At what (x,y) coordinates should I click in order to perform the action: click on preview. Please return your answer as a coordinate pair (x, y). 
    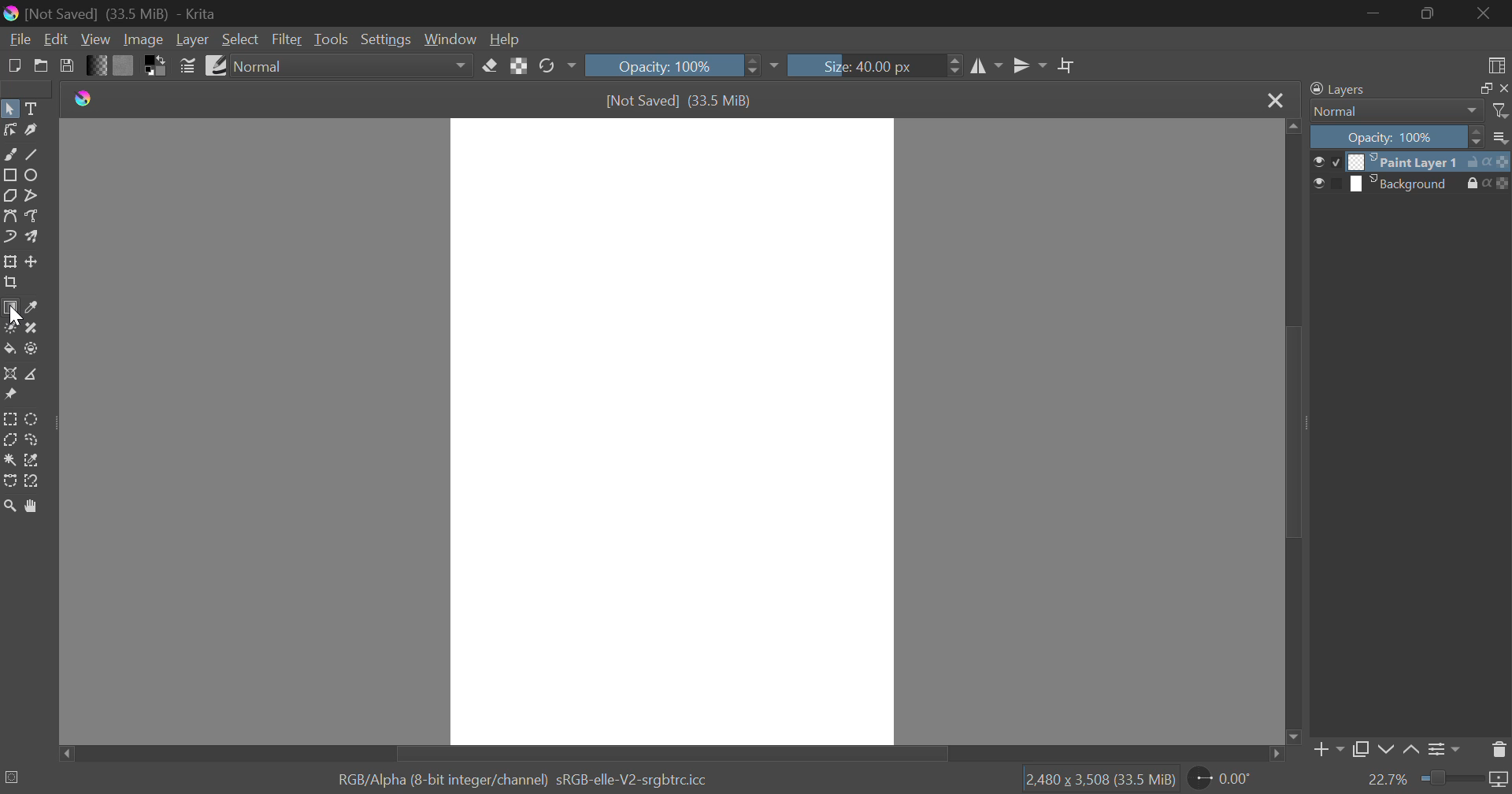
    Looking at the image, I should click on (1330, 162).